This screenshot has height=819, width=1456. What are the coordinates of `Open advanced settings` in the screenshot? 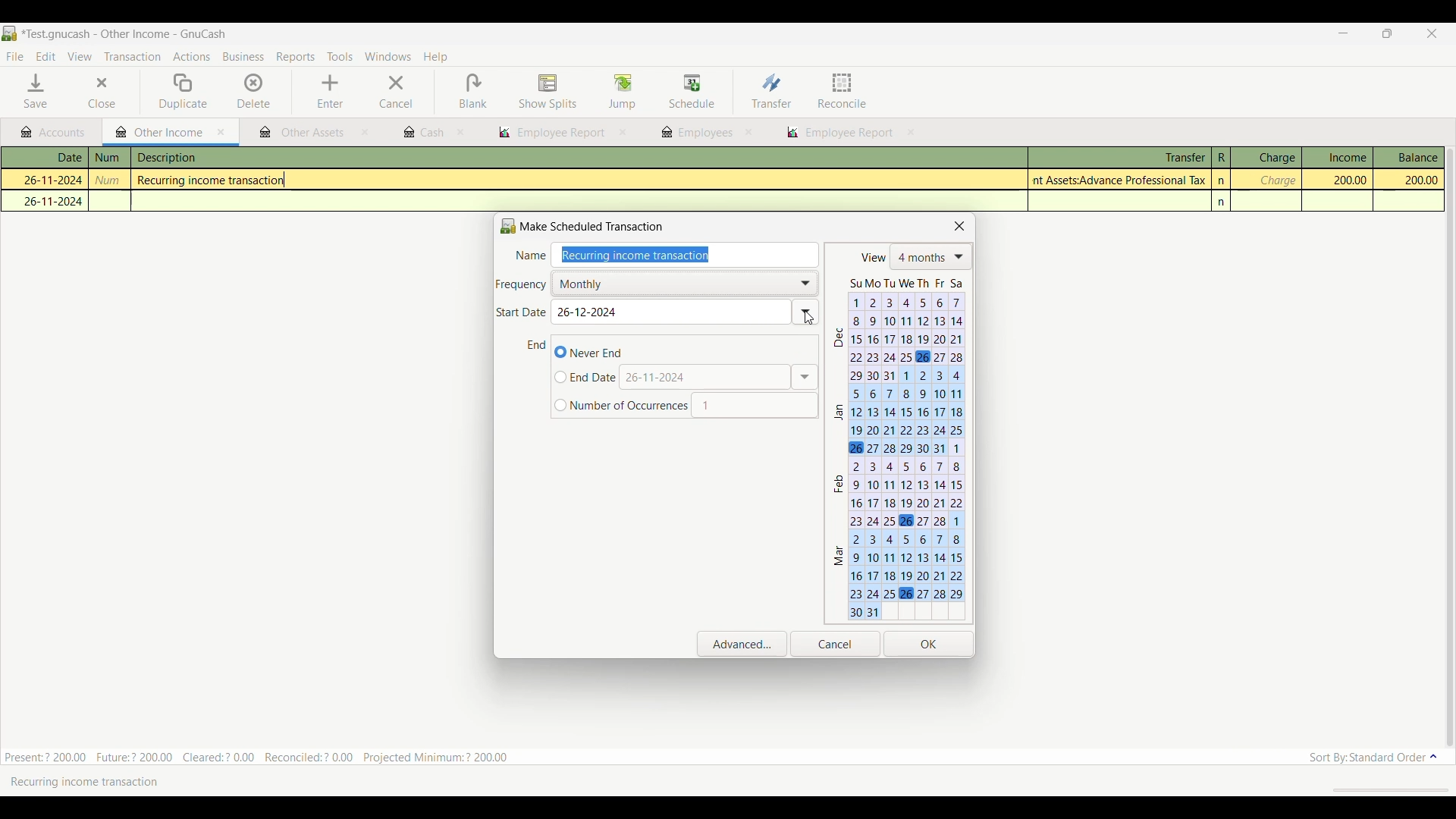 It's located at (742, 644).